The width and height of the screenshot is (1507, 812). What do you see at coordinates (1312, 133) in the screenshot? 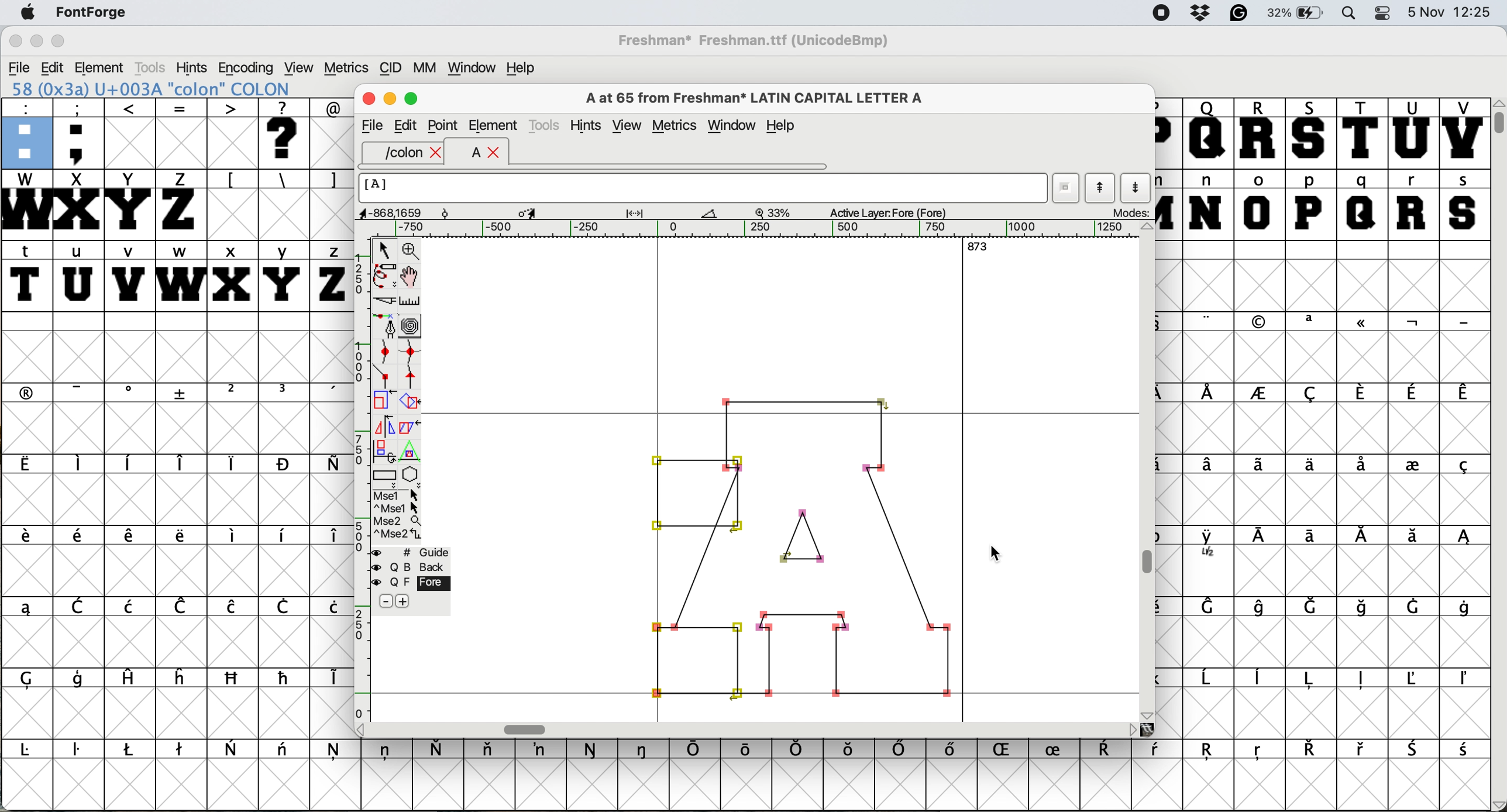
I see `S` at bounding box center [1312, 133].